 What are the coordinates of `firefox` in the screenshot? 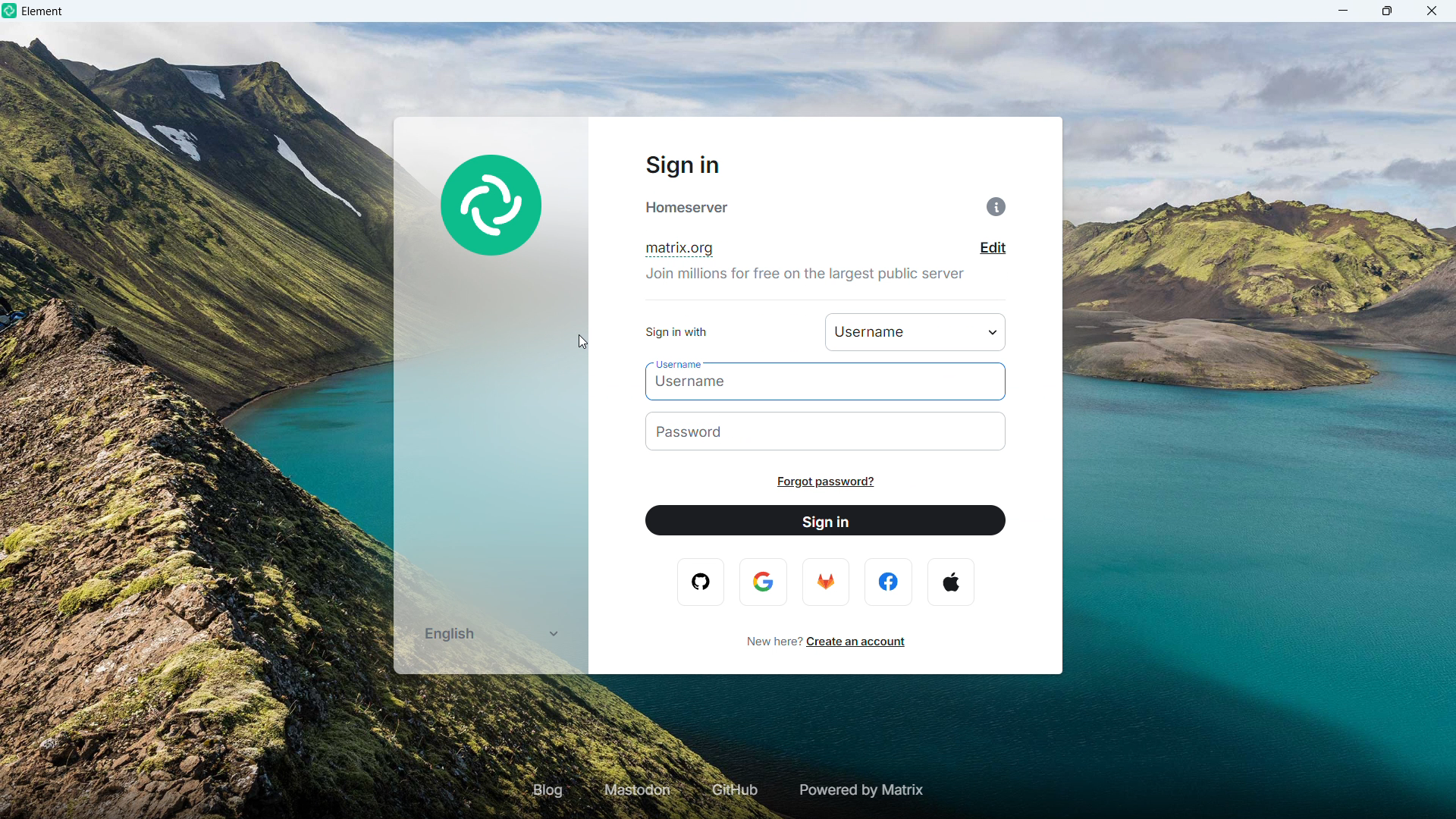 It's located at (824, 581).